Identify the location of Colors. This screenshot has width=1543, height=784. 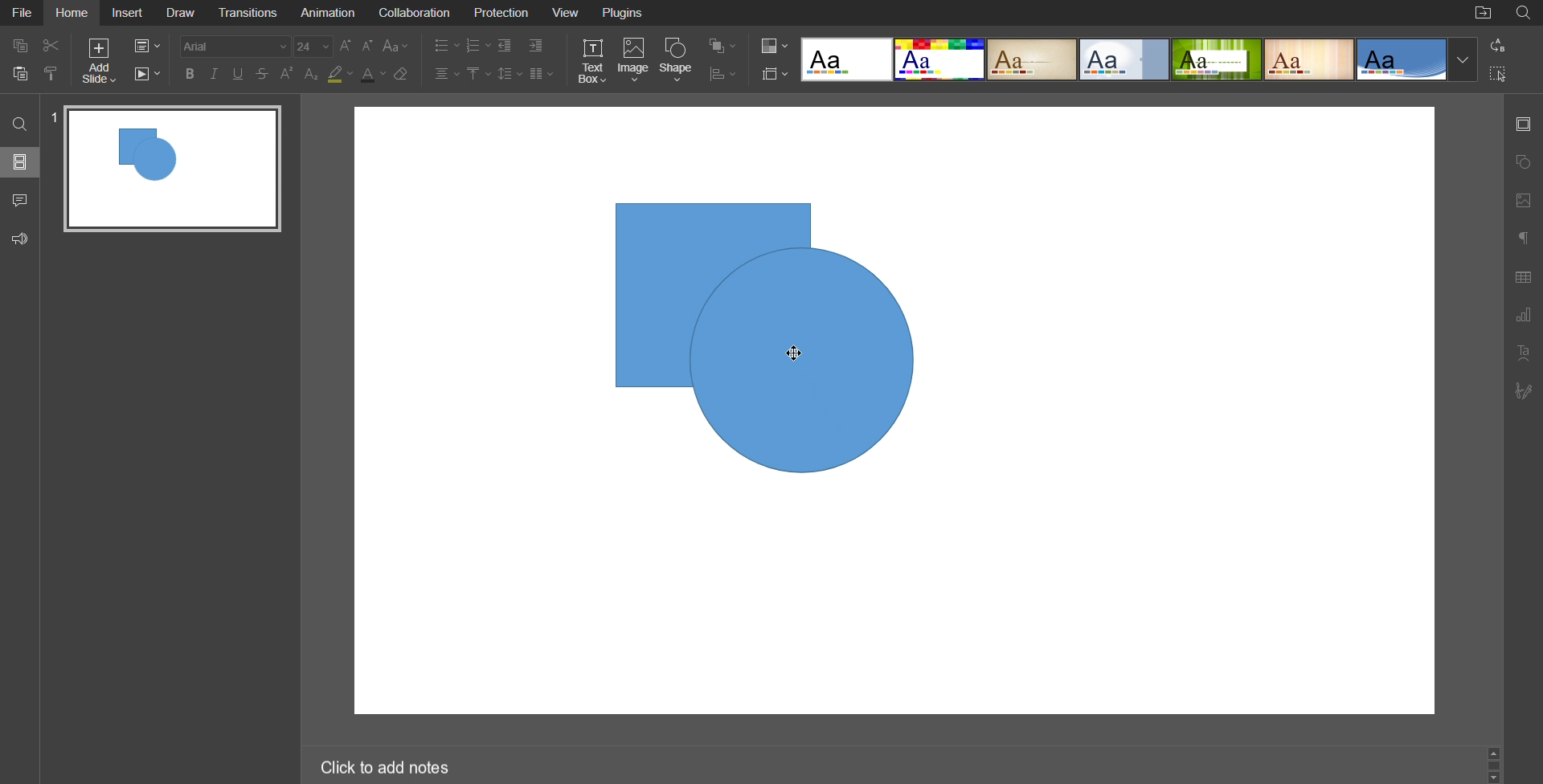
(776, 45).